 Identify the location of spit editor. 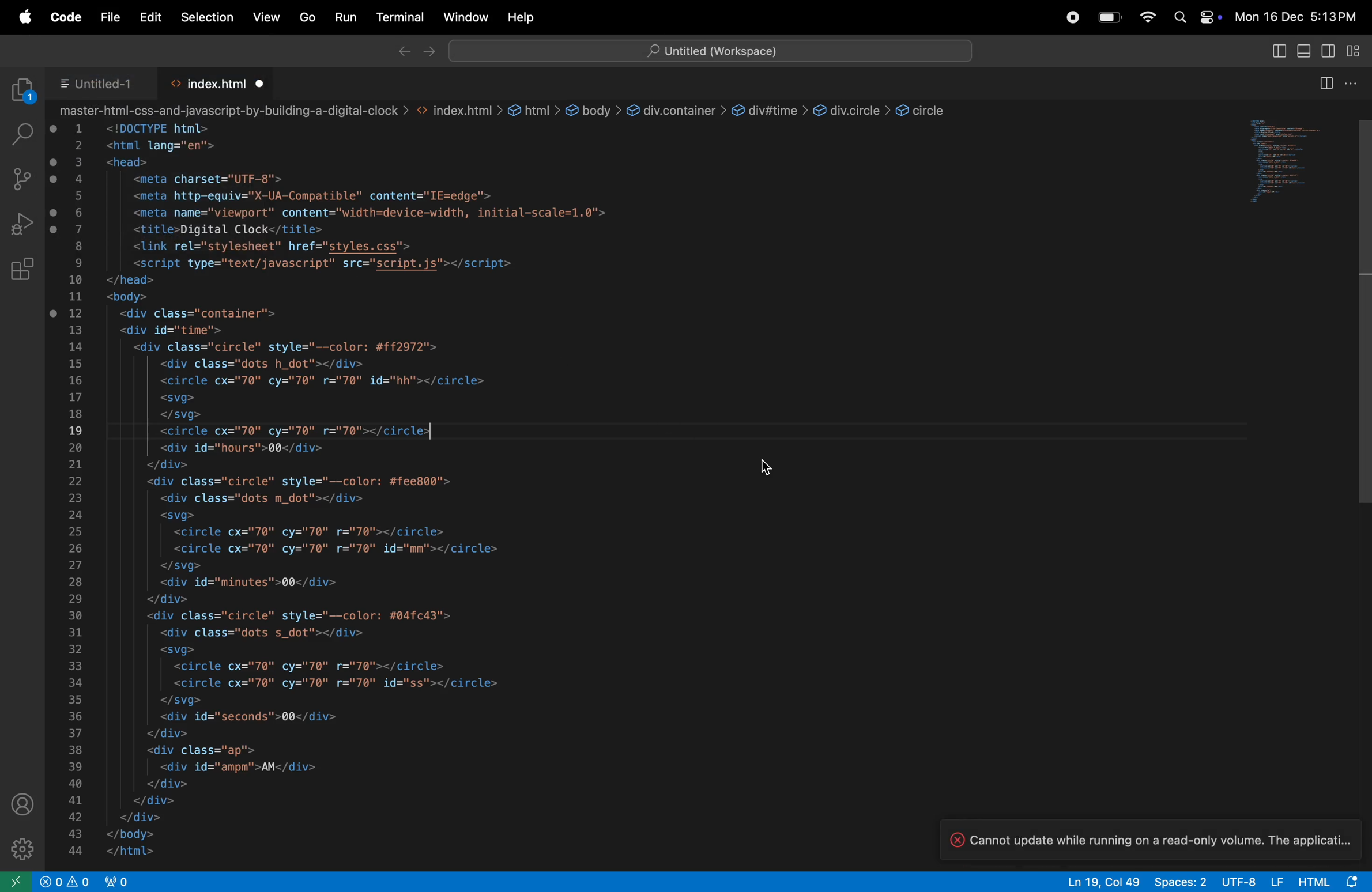
(1325, 84).